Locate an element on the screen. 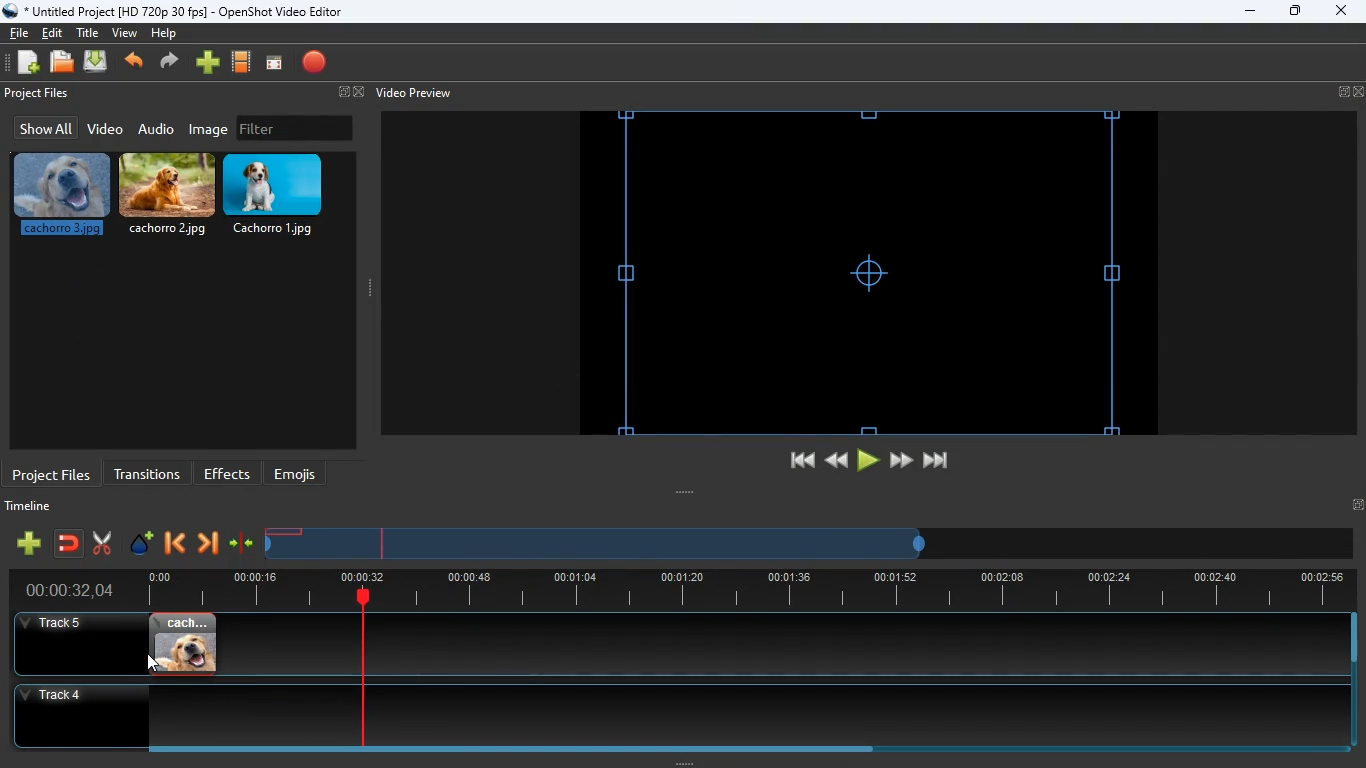  time is located at coordinates (61, 590).